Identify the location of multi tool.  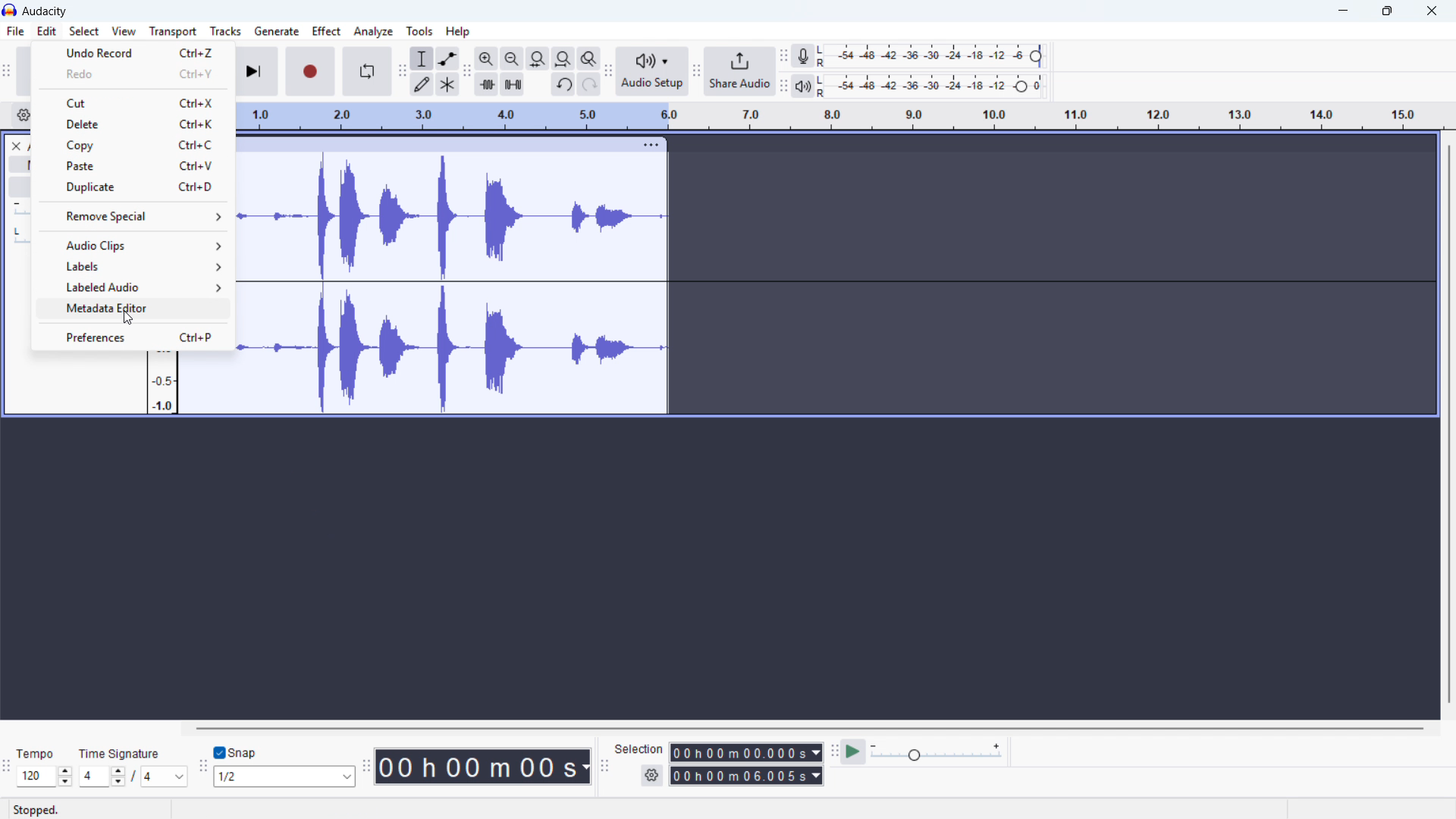
(448, 85).